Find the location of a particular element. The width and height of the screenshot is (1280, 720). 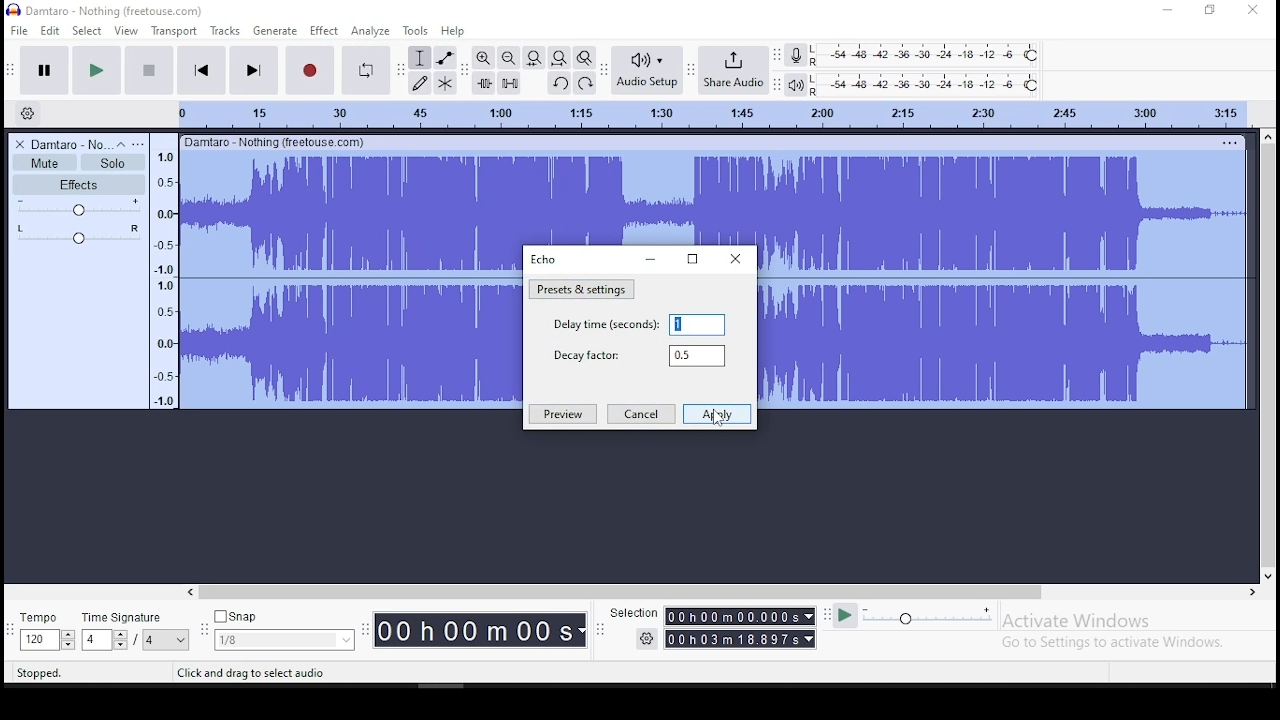

preview is located at coordinates (563, 413).